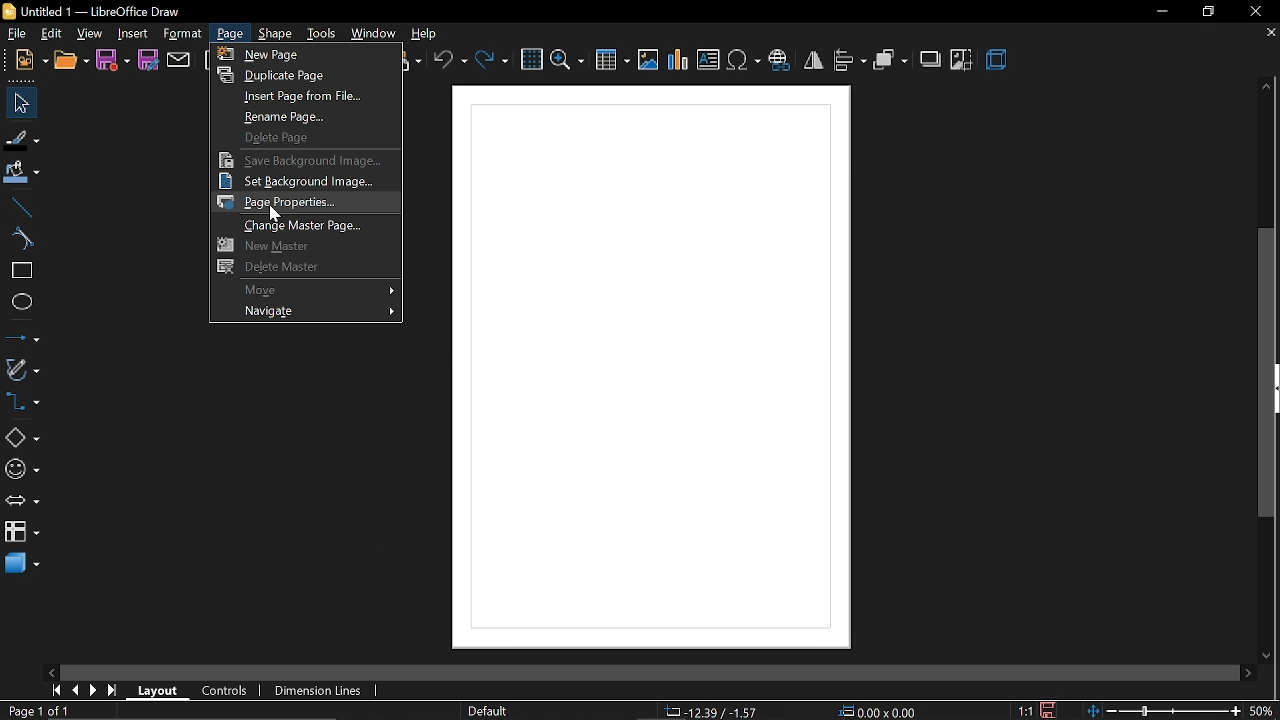 The width and height of the screenshot is (1280, 720). What do you see at coordinates (307, 245) in the screenshot?
I see `new master` at bounding box center [307, 245].